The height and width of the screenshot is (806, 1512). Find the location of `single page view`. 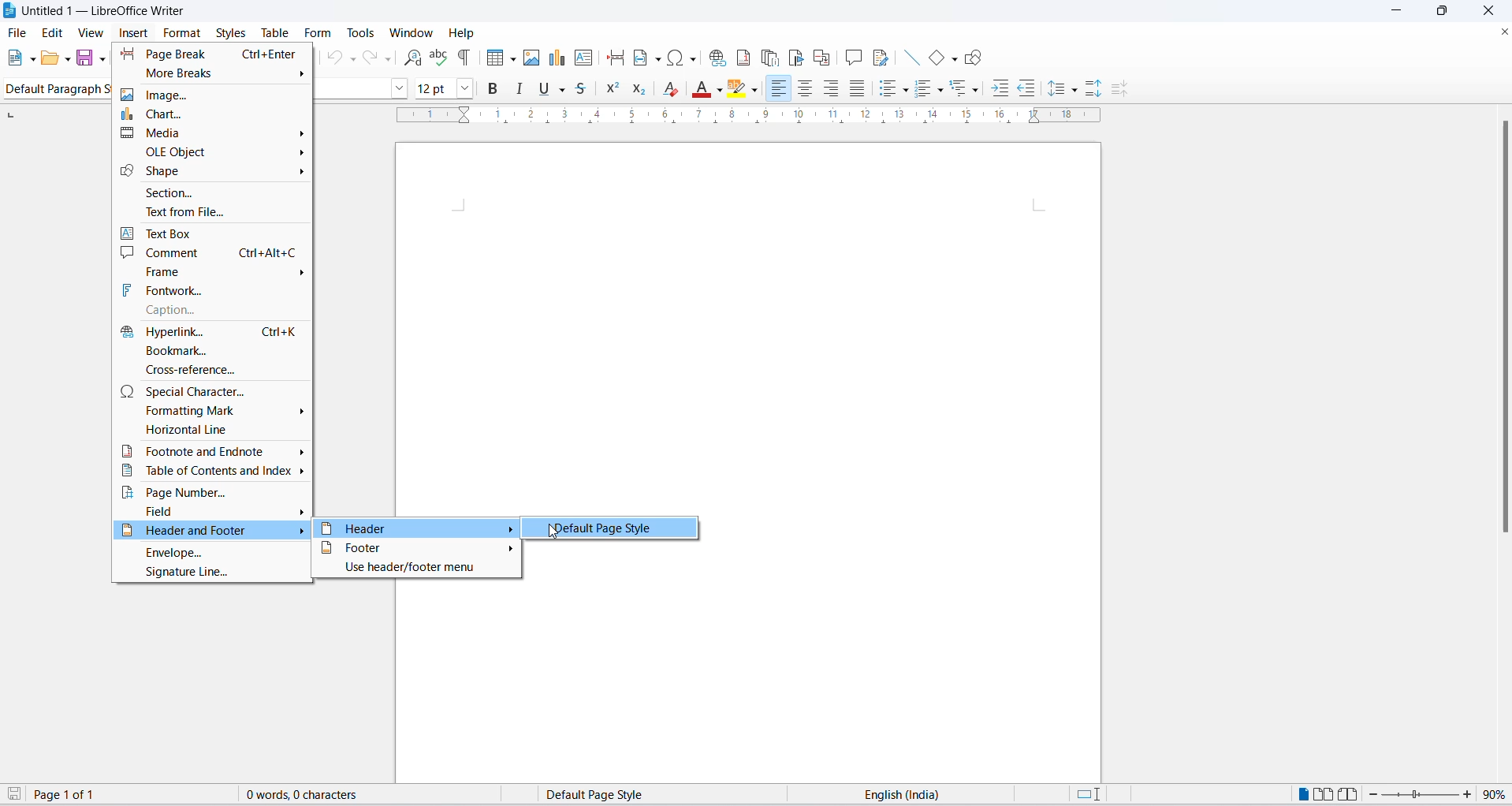

single page view is located at coordinates (1301, 794).